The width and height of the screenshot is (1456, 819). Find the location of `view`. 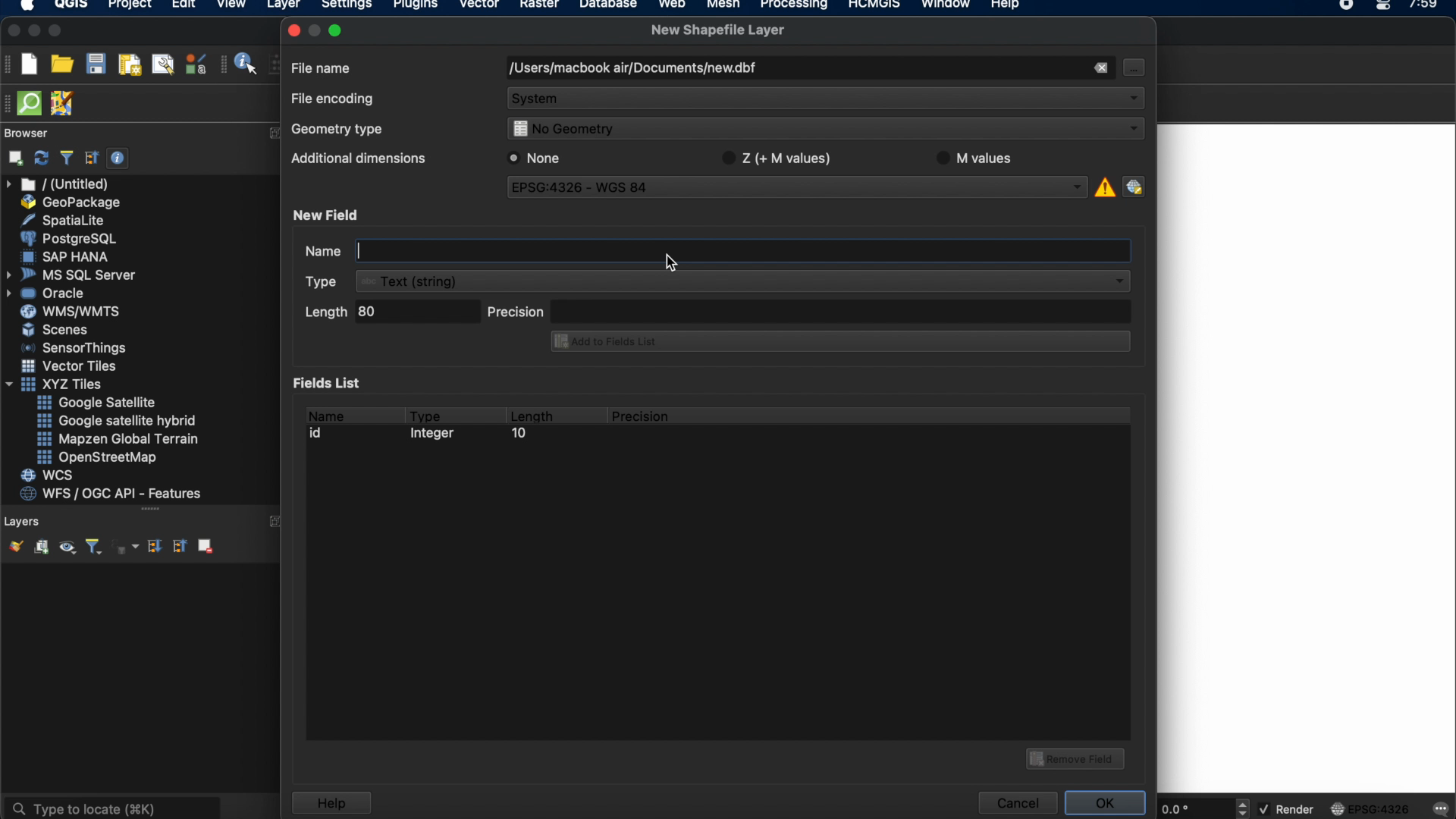

view is located at coordinates (231, 6).